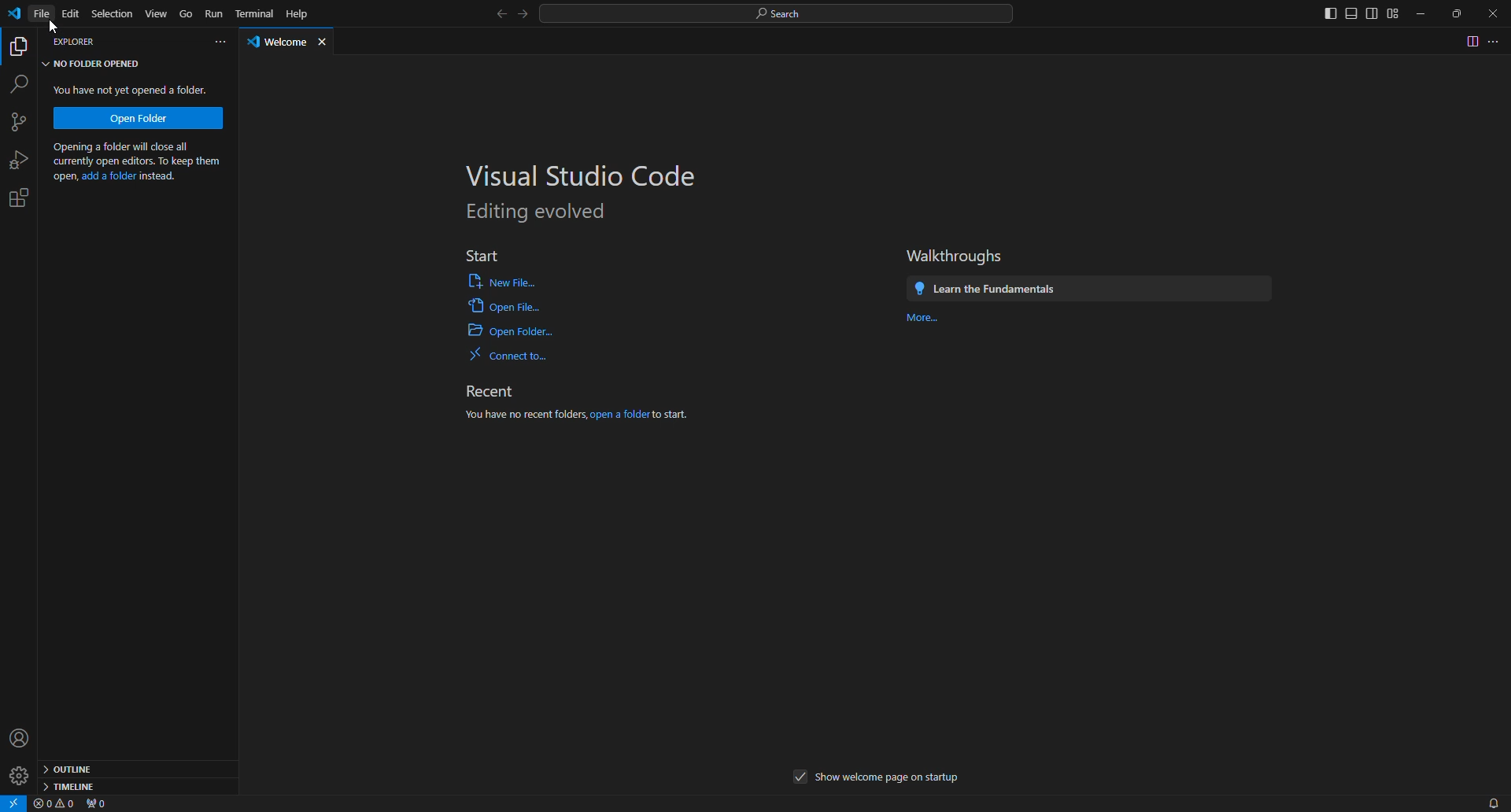  What do you see at coordinates (23, 736) in the screenshot?
I see `accounts` at bounding box center [23, 736].